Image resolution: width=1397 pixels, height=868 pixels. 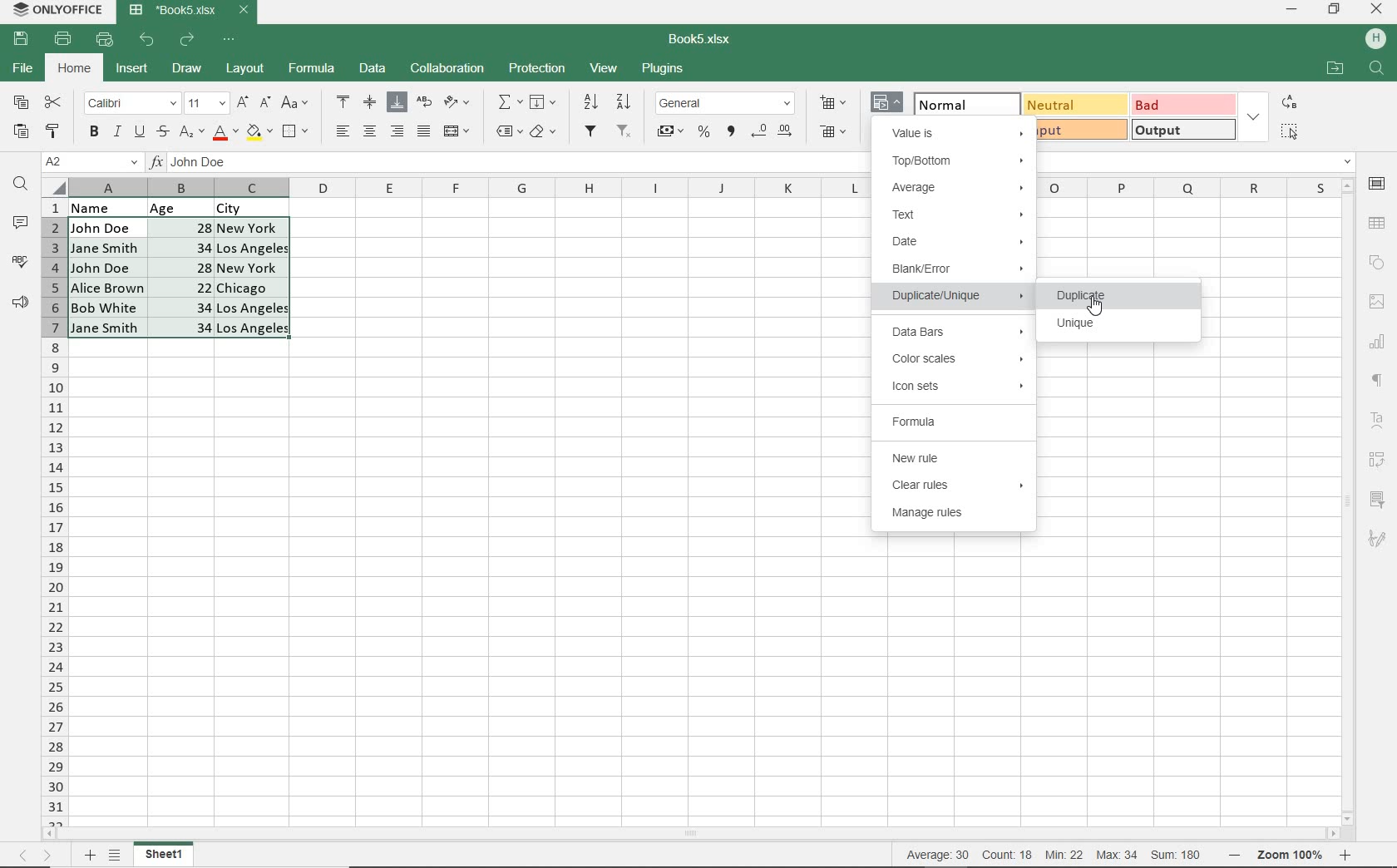 I want to click on DATA BARS, so click(x=954, y=333).